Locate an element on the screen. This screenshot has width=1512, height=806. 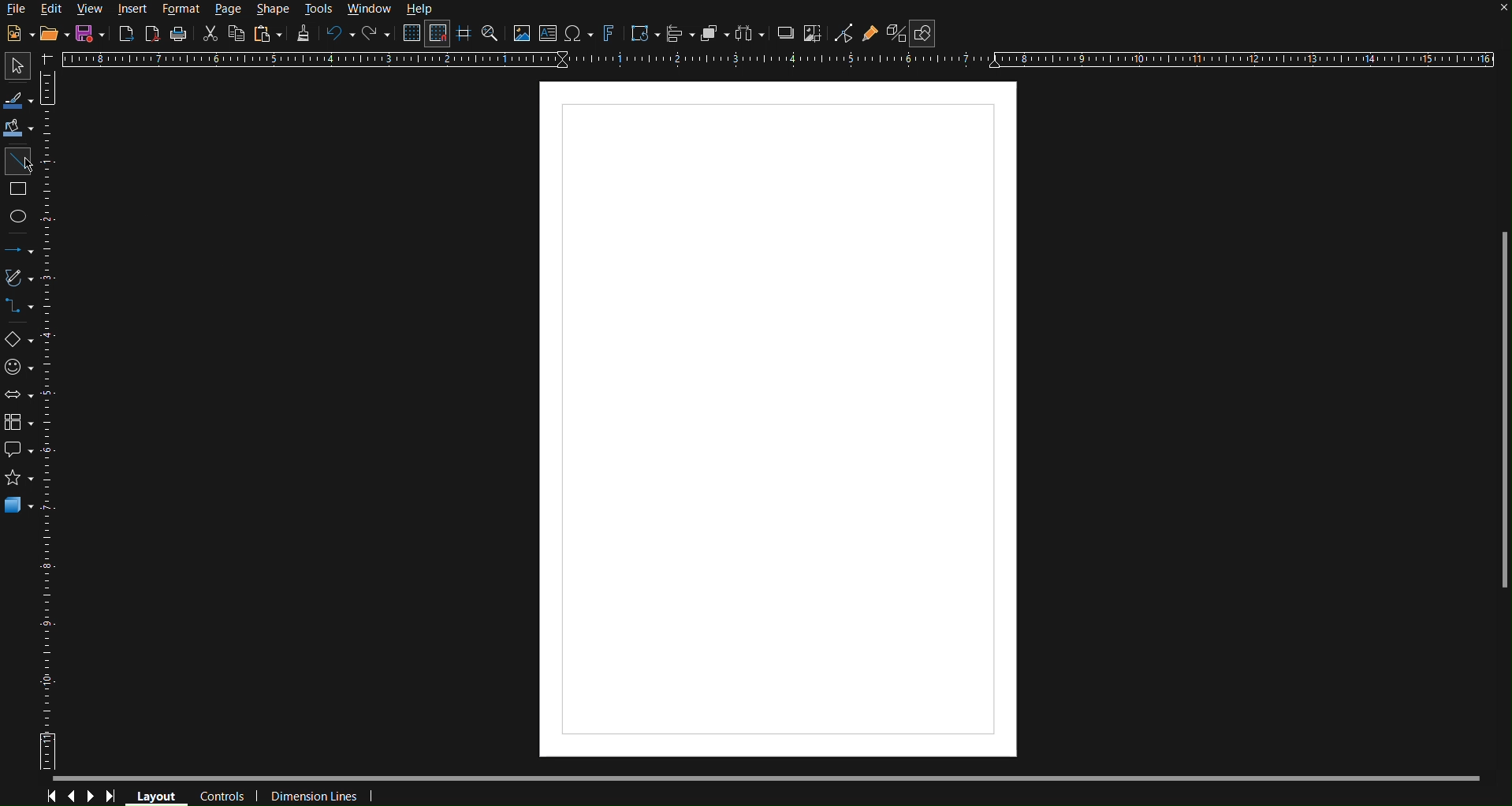
Toggle Extrusion is located at coordinates (896, 33).